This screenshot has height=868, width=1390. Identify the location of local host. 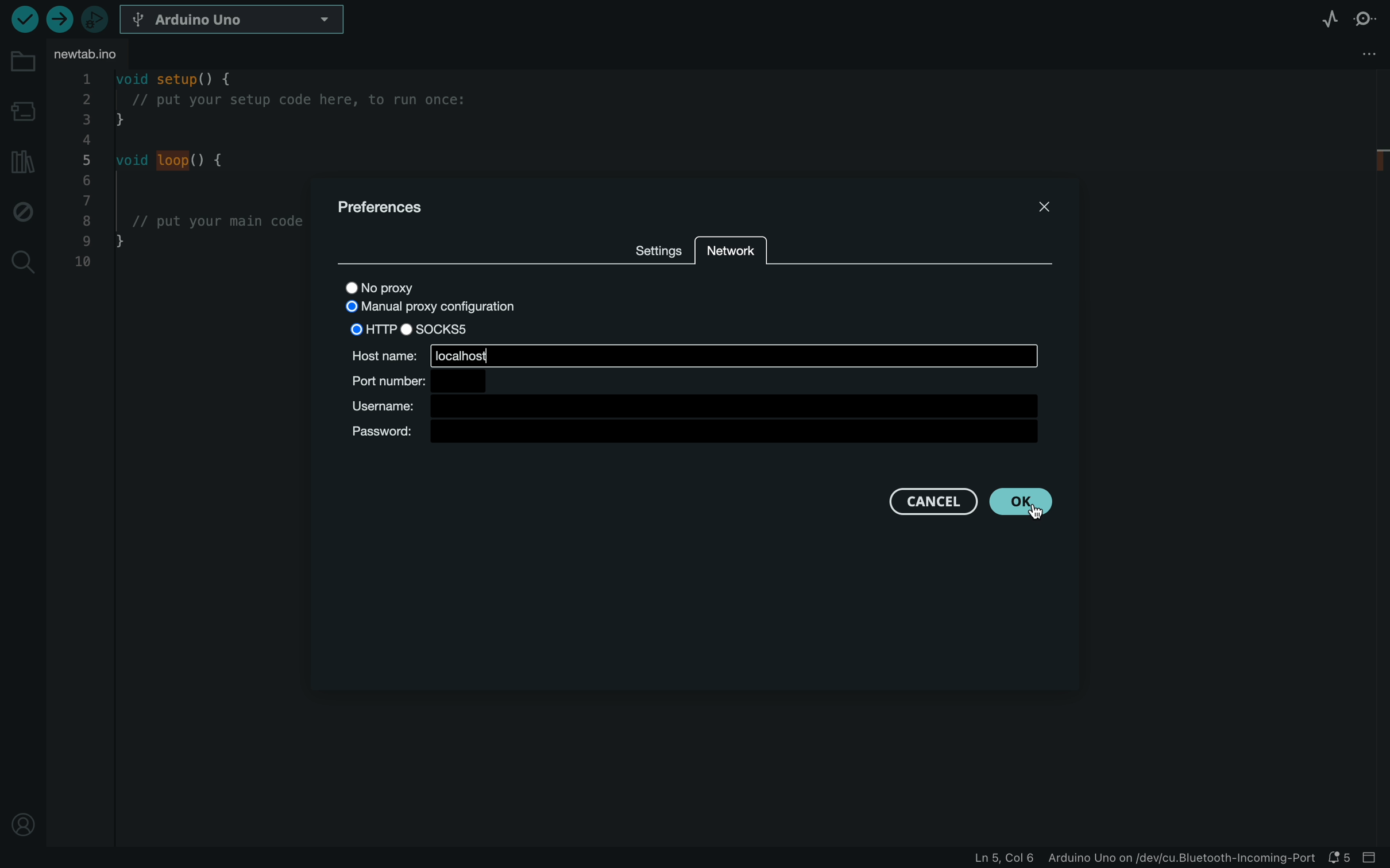
(737, 355).